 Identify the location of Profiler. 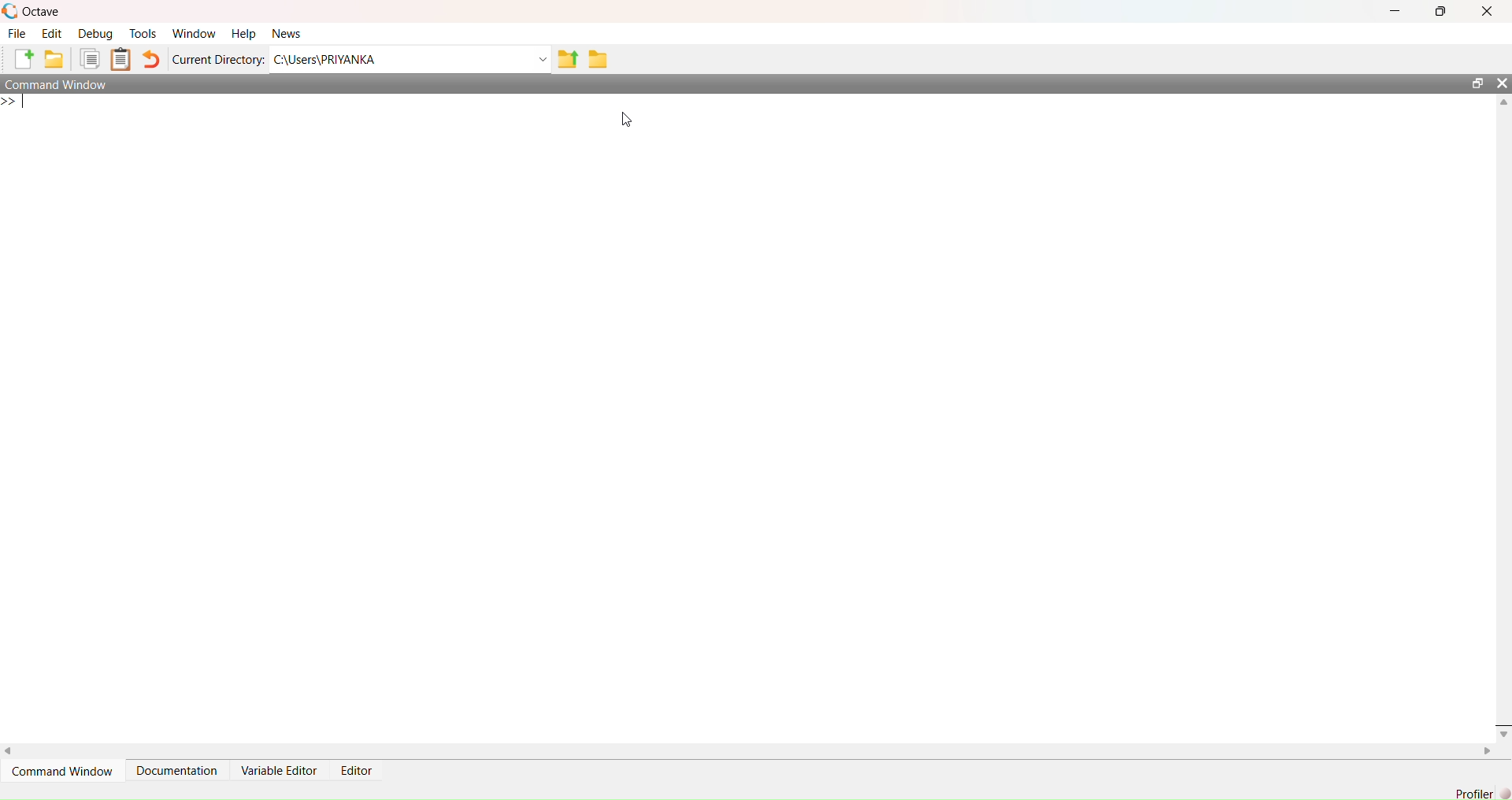
(1473, 788).